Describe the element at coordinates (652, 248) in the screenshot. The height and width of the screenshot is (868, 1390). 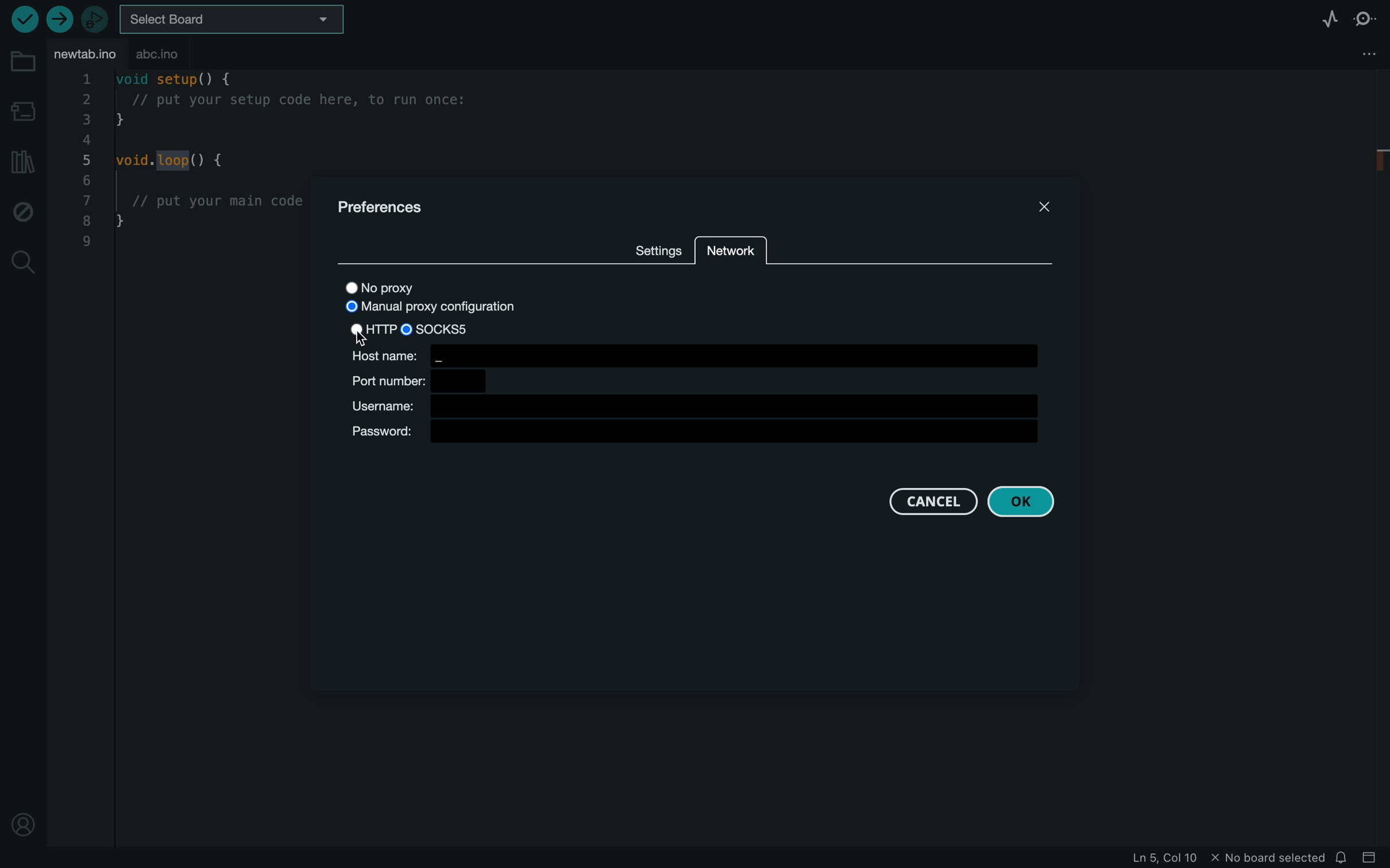
I see `sttings` at that location.